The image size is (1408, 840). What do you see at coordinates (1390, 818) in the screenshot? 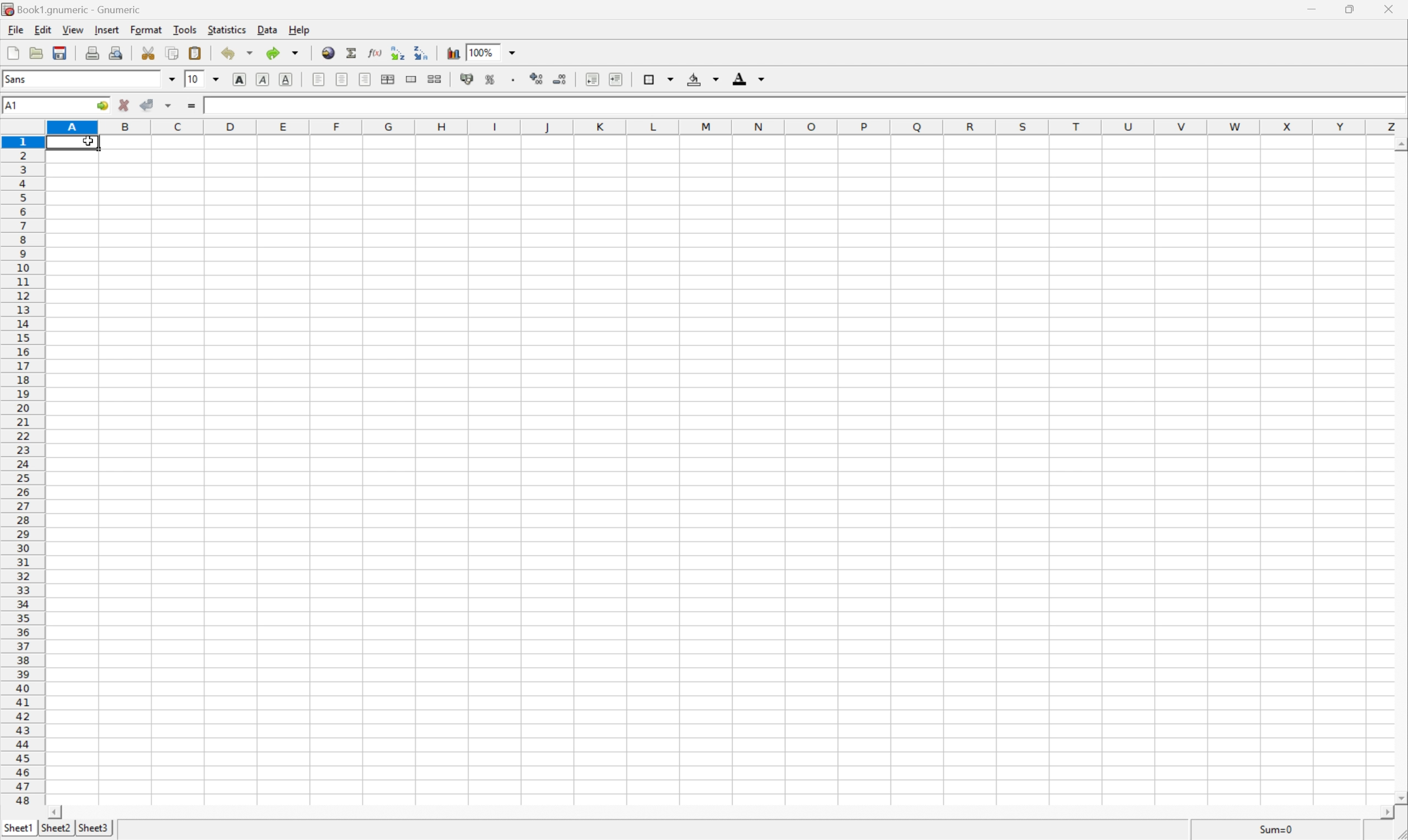
I see `scroll right` at bounding box center [1390, 818].